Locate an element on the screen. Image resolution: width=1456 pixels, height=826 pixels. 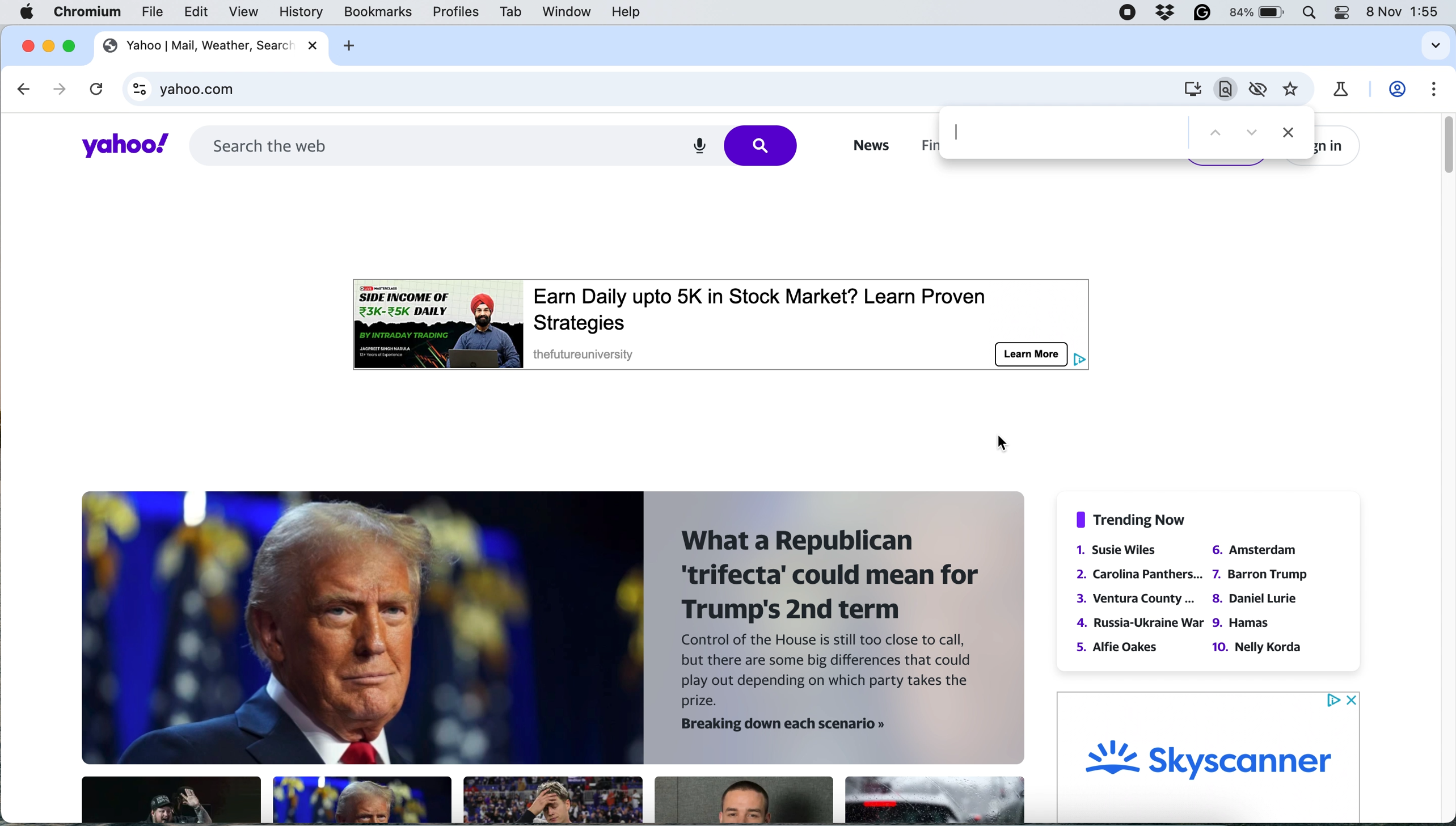
refresh is located at coordinates (95, 88).